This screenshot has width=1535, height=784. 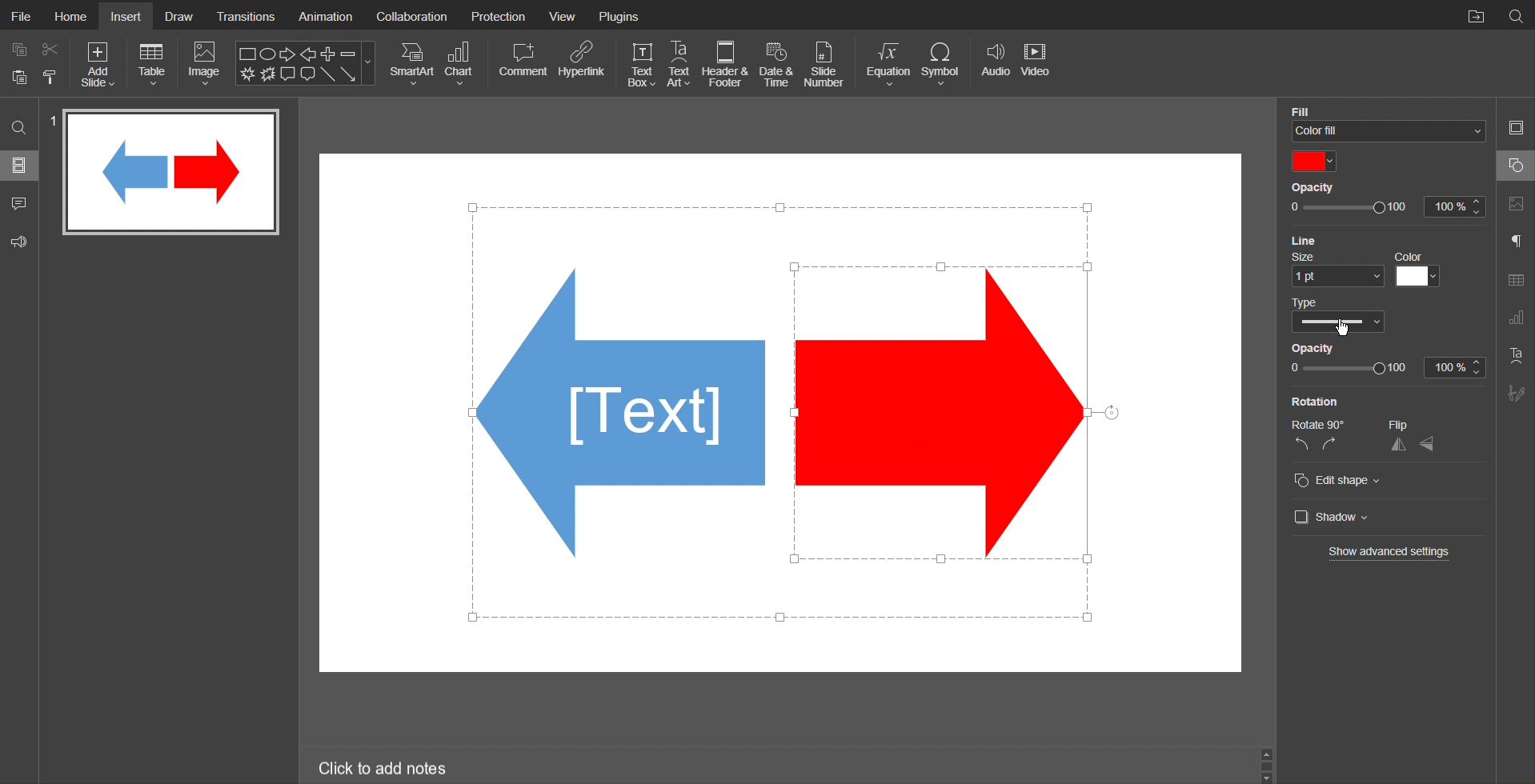 What do you see at coordinates (205, 63) in the screenshot?
I see `Image` at bounding box center [205, 63].